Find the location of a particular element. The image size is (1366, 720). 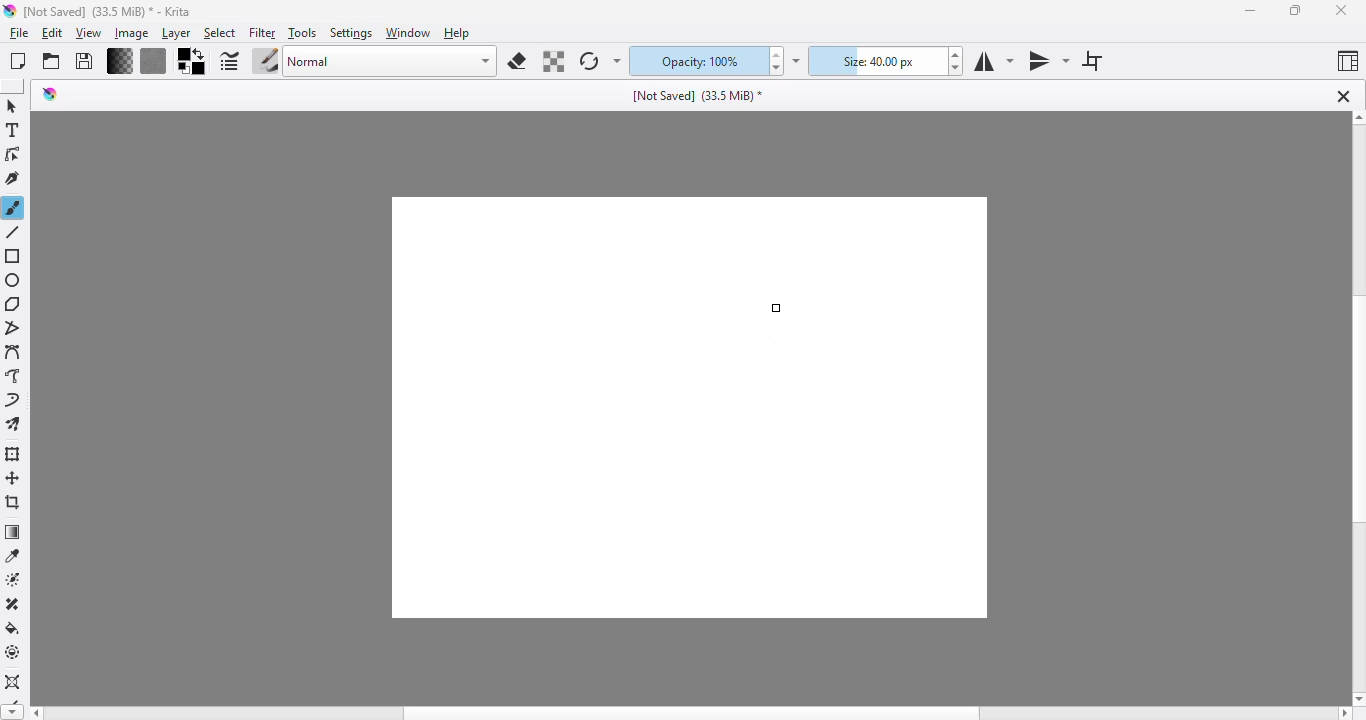

edit brush settings is located at coordinates (230, 60).